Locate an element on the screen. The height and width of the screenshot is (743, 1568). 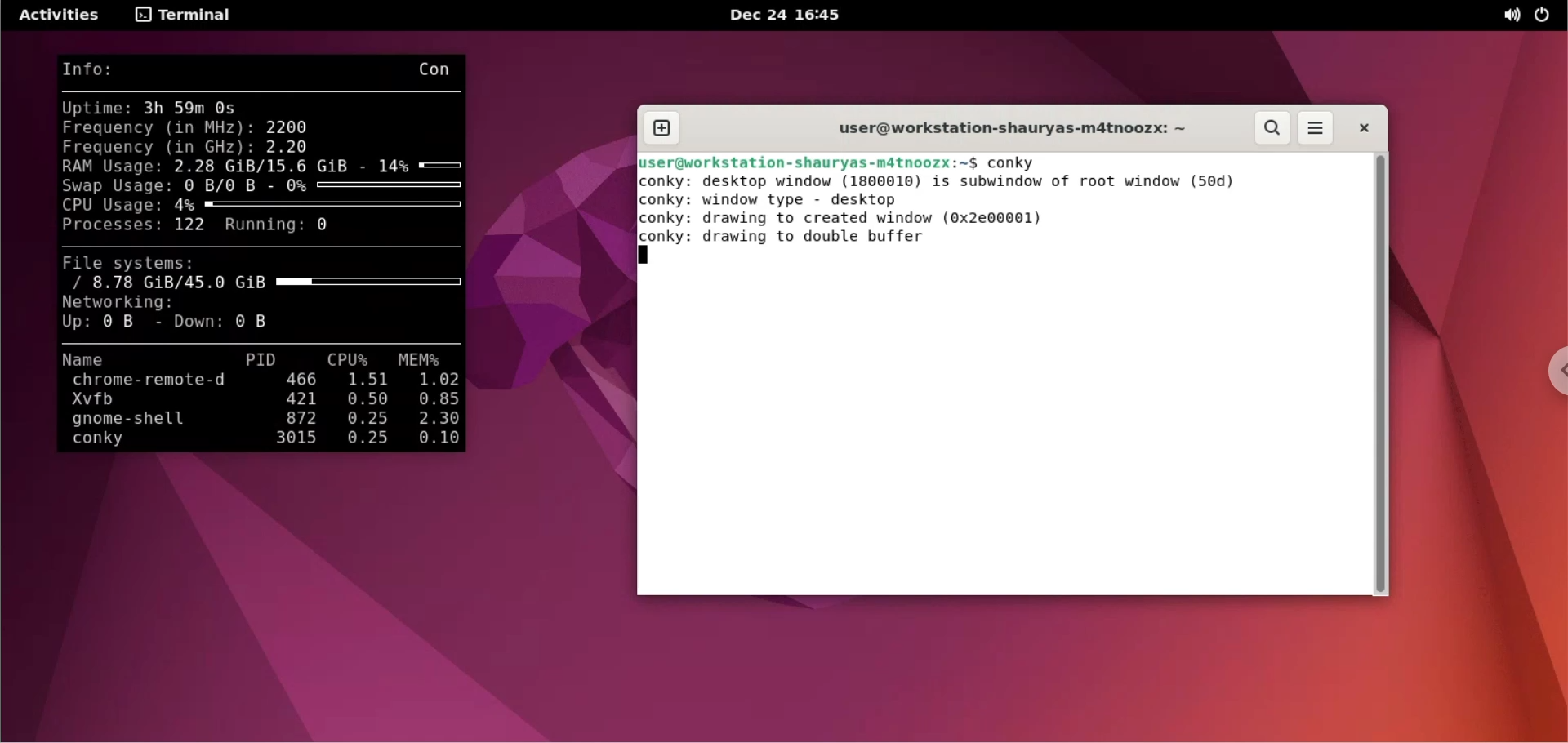
networking: is located at coordinates (131, 303).